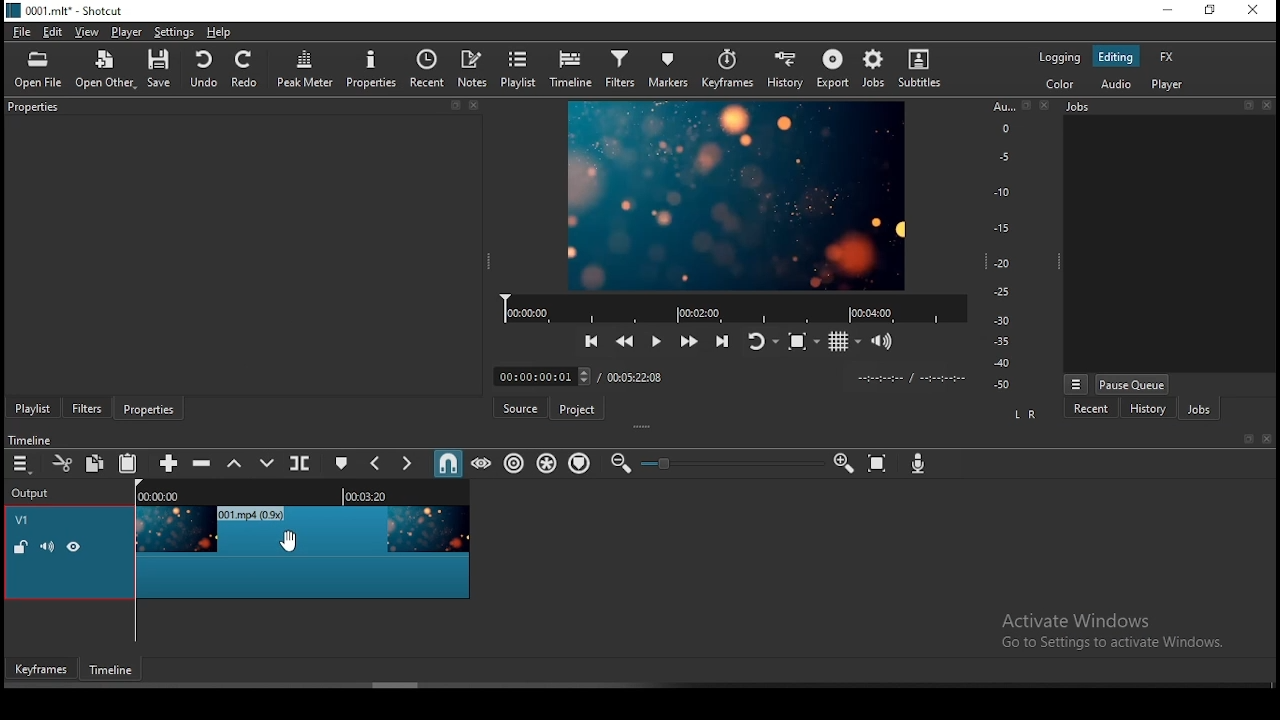 The width and height of the screenshot is (1280, 720). Describe the element at coordinates (1167, 84) in the screenshot. I see `player` at that location.